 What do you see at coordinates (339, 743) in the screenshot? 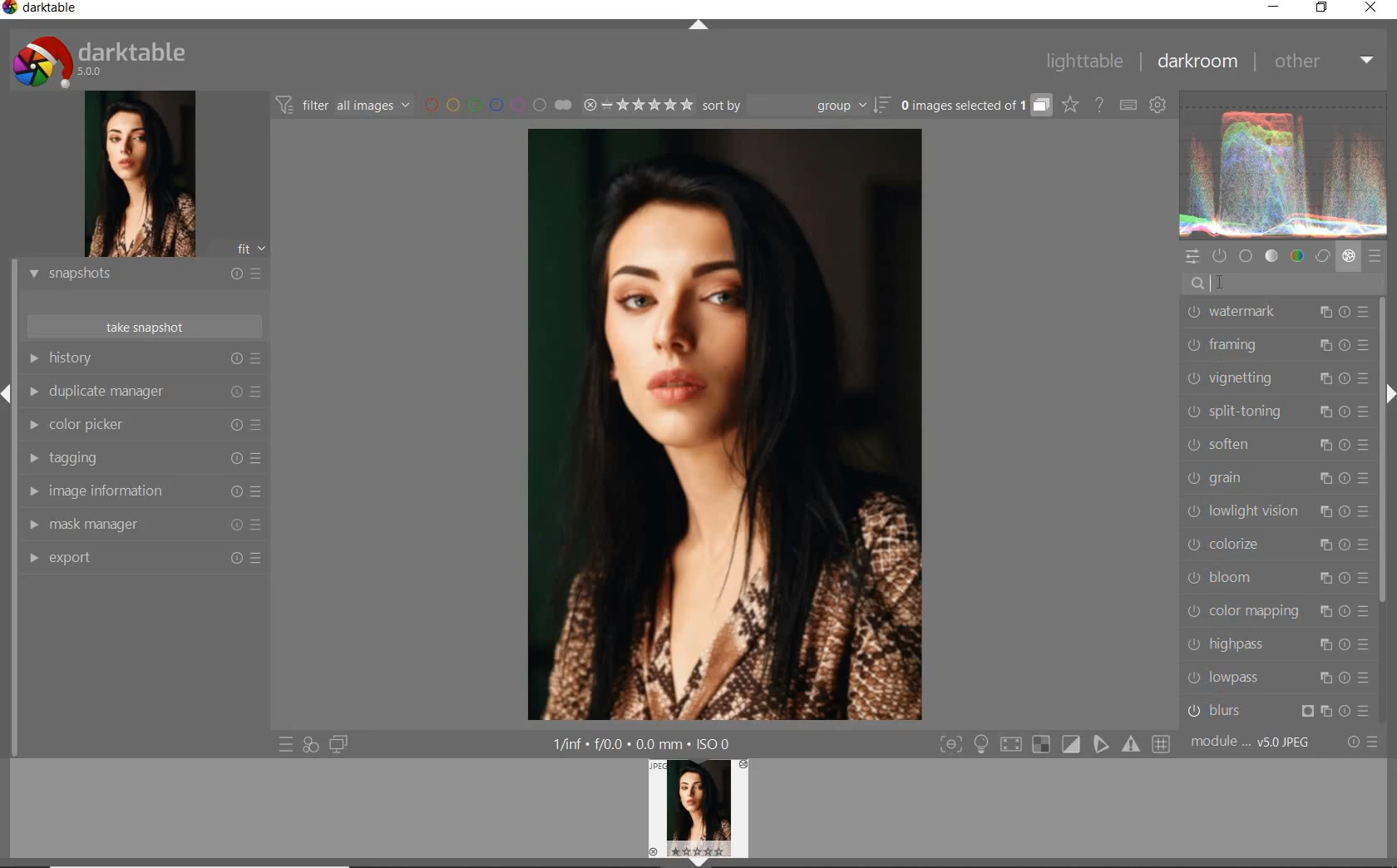
I see `display a second darkroom image window` at bounding box center [339, 743].